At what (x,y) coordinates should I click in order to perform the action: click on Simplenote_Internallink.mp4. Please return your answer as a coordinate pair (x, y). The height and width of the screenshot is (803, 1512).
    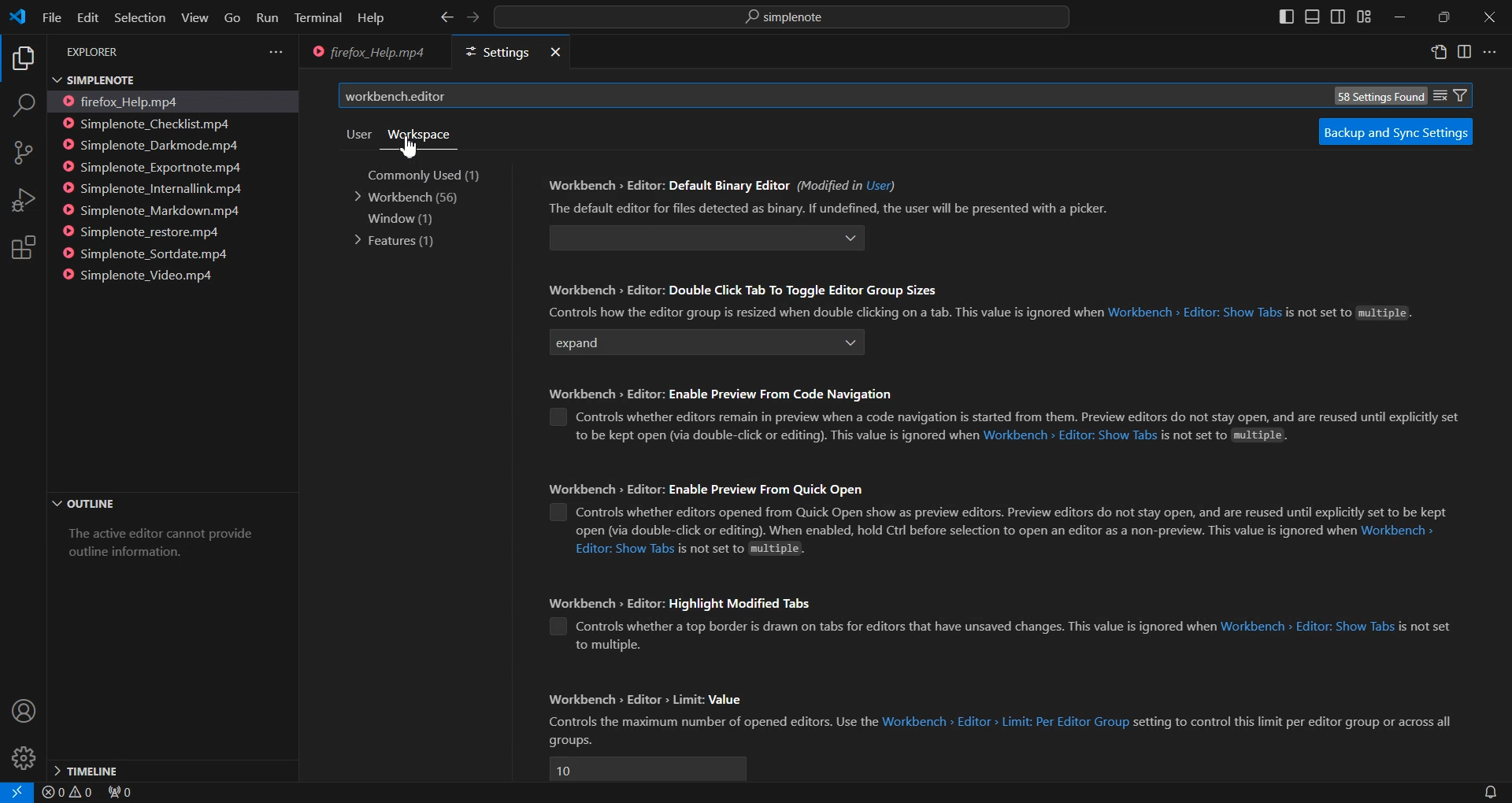
    Looking at the image, I should click on (154, 189).